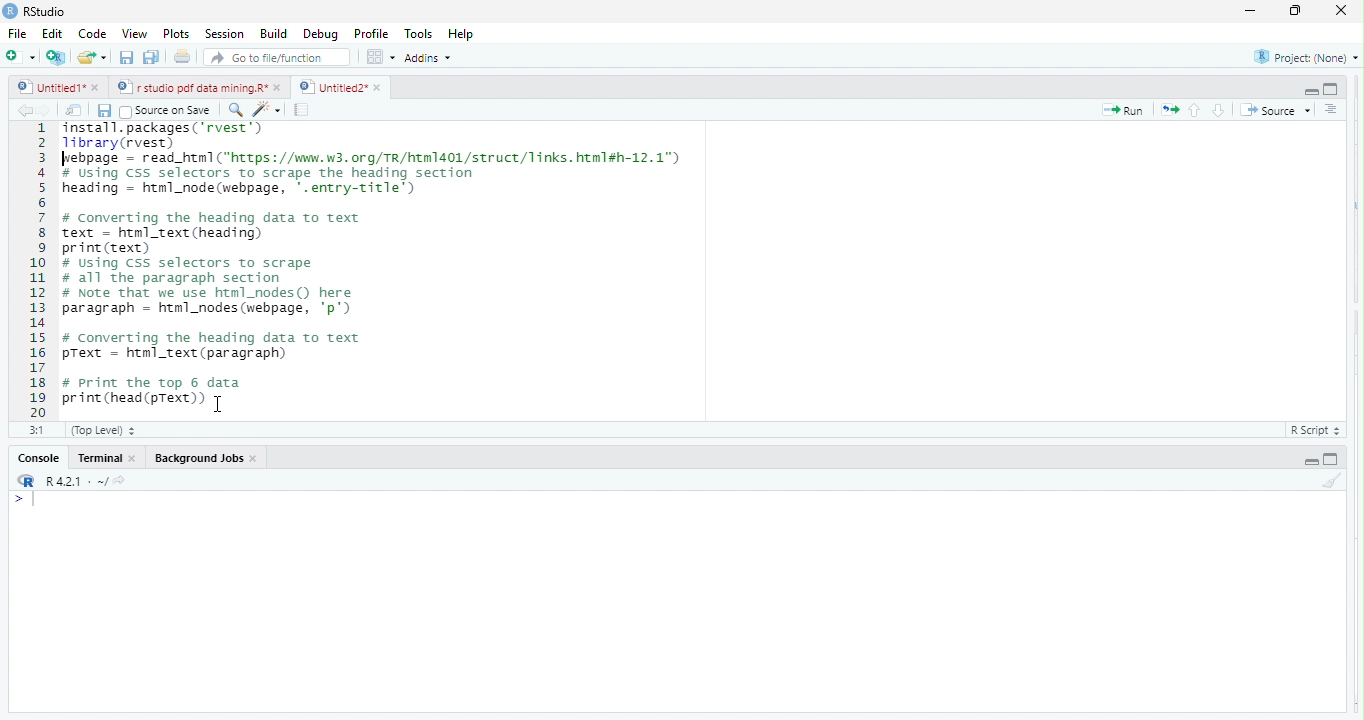 Image resolution: width=1364 pixels, height=720 pixels. Describe the element at coordinates (53, 33) in the screenshot. I see `Edit` at that location.